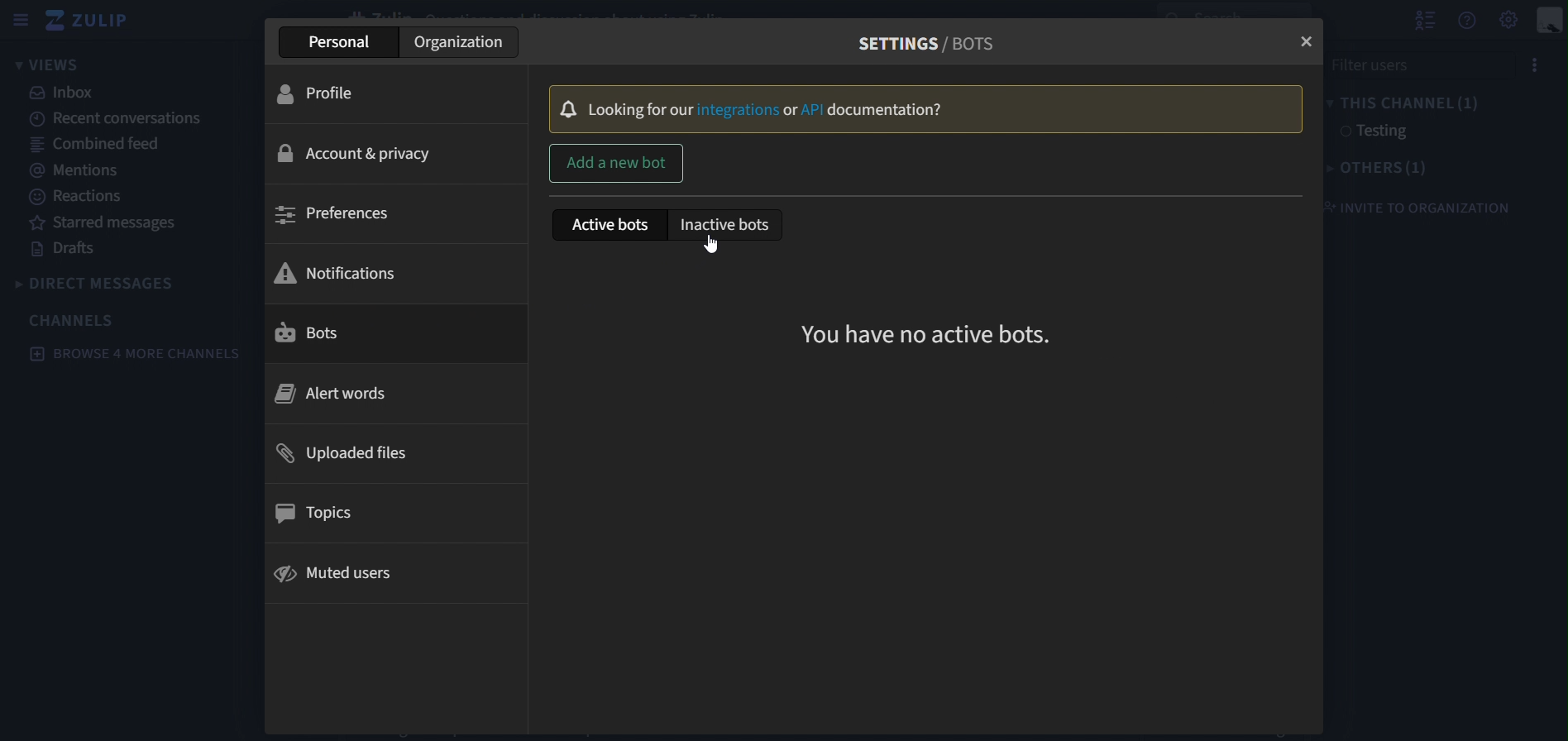 This screenshot has height=741, width=1568. What do you see at coordinates (69, 250) in the screenshot?
I see `drafts` at bounding box center [69, 250].